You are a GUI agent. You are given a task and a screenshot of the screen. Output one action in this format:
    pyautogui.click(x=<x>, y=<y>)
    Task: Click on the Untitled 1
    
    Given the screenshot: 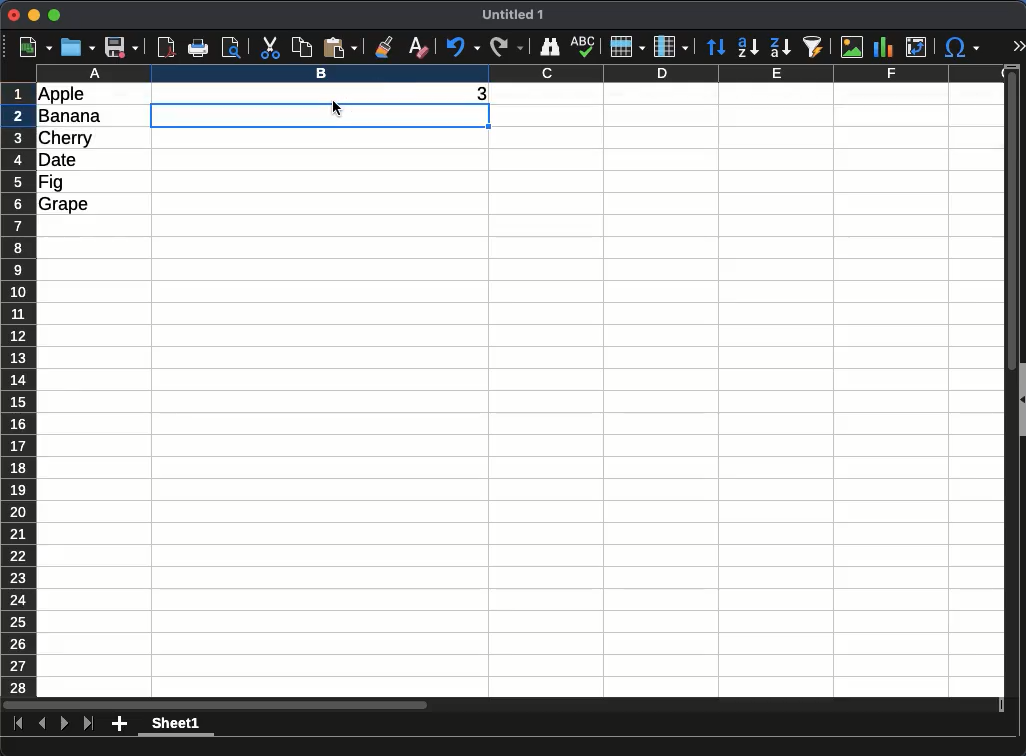 What is the action you would take?
    pyautogui.click(x=513, y=14)
    